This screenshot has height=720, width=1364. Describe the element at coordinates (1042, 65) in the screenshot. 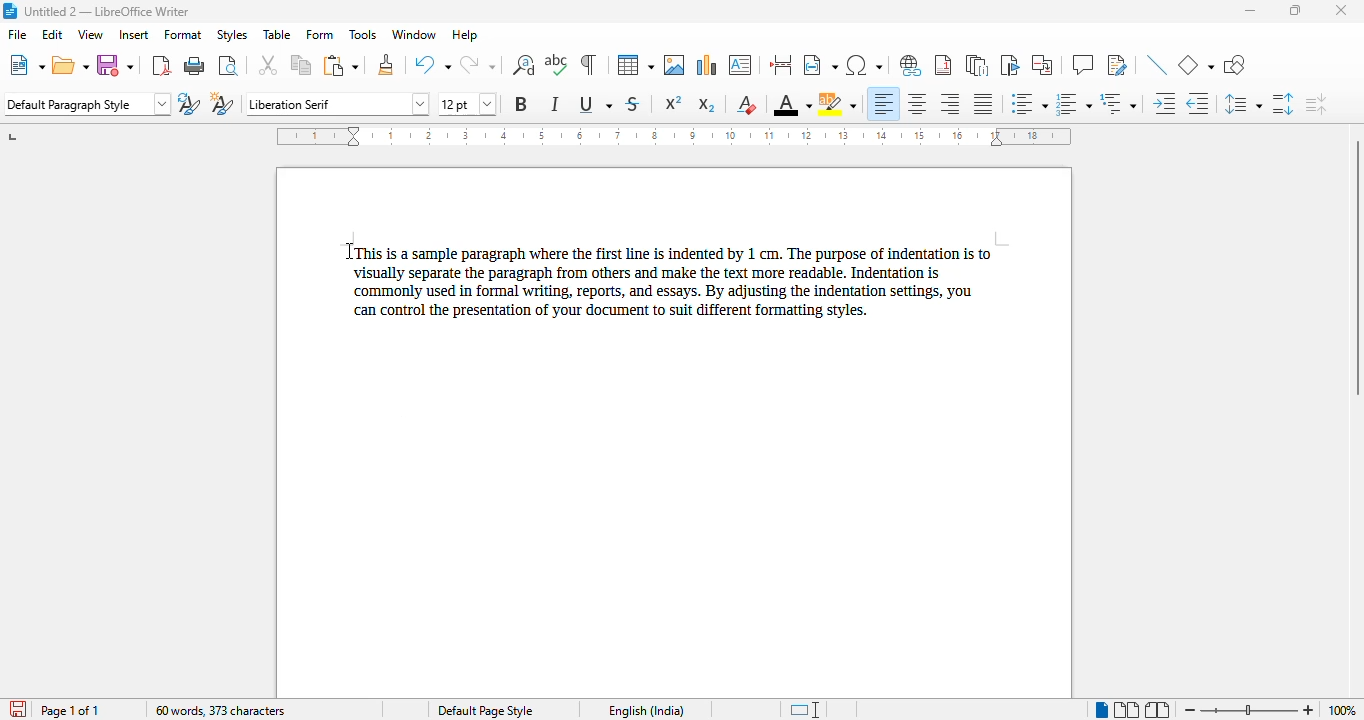

I see `insert cross-reference` at that location.